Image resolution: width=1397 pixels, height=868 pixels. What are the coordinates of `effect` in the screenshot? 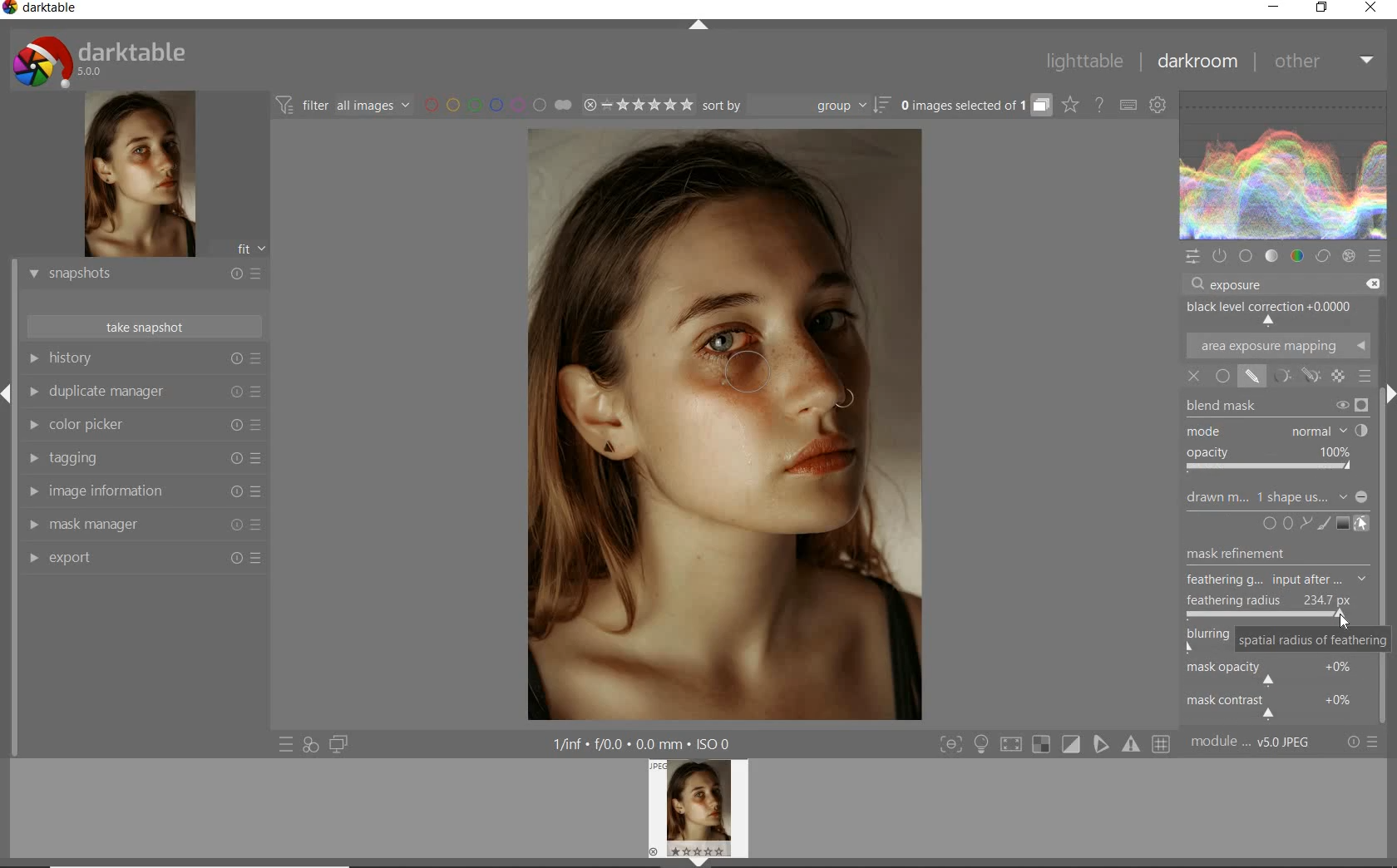 It's located at (1348, 256).